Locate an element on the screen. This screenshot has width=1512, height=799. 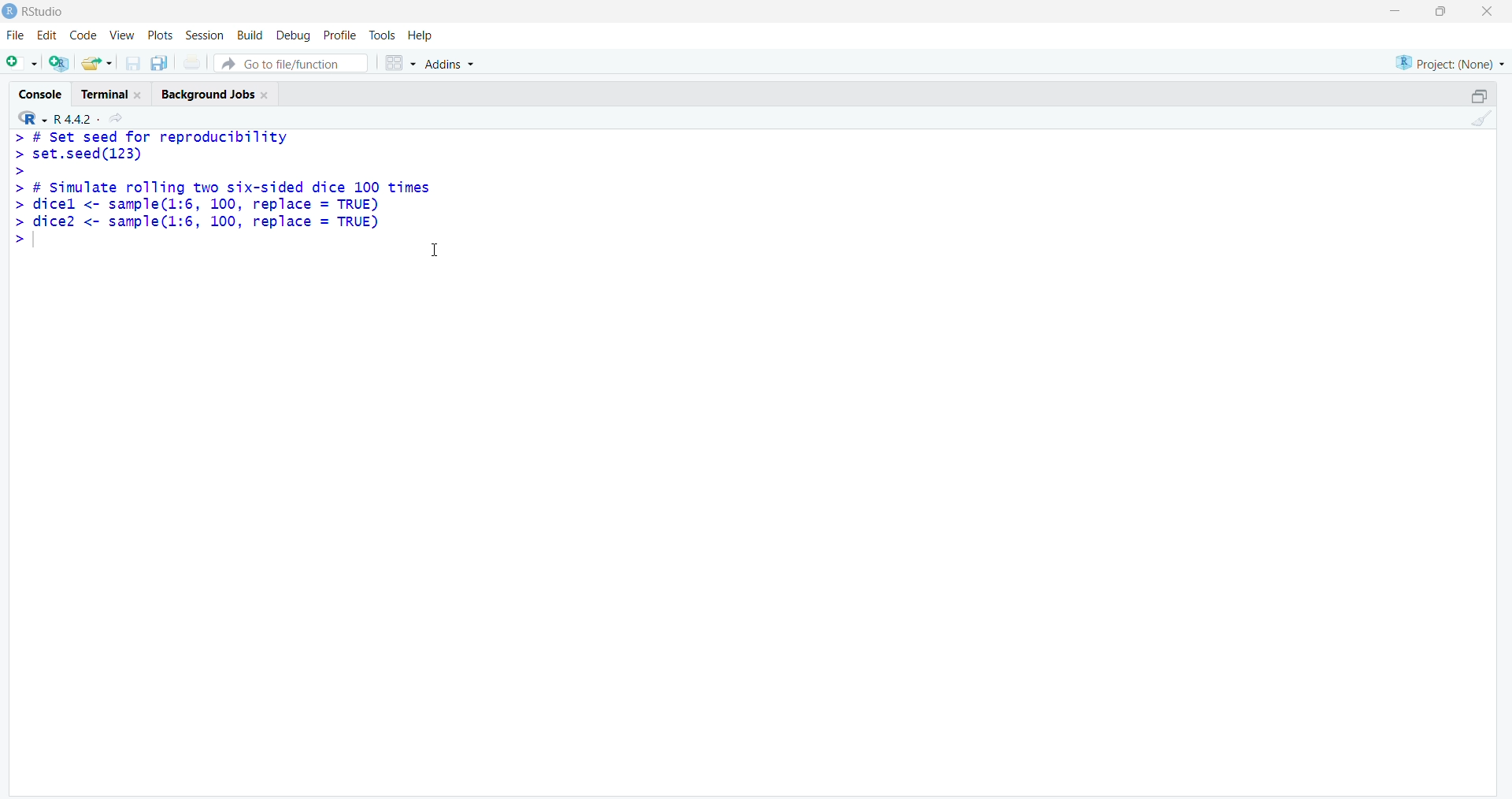
file is located at coordinates (16, 35).